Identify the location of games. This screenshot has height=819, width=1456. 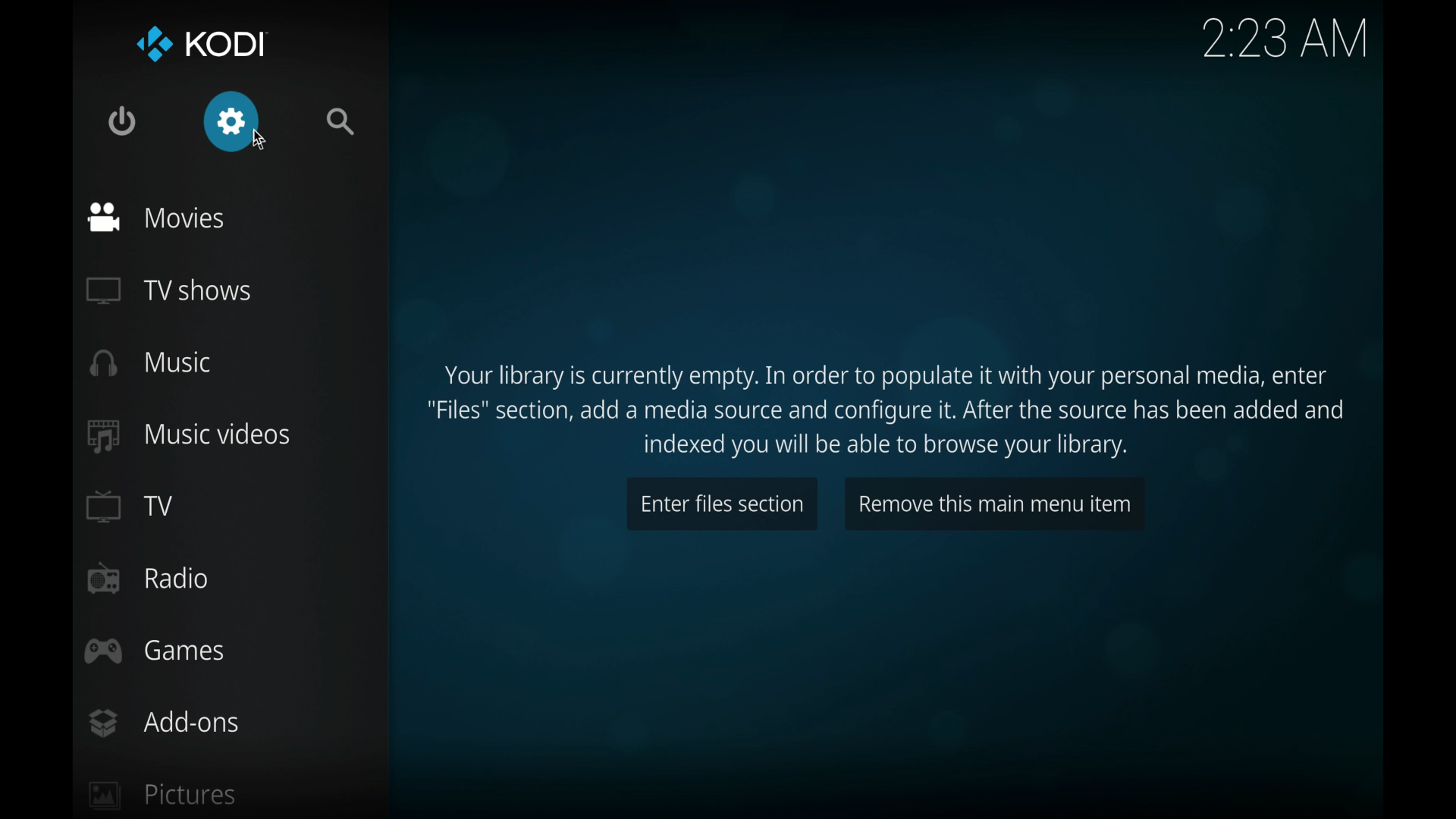
(155, 651).